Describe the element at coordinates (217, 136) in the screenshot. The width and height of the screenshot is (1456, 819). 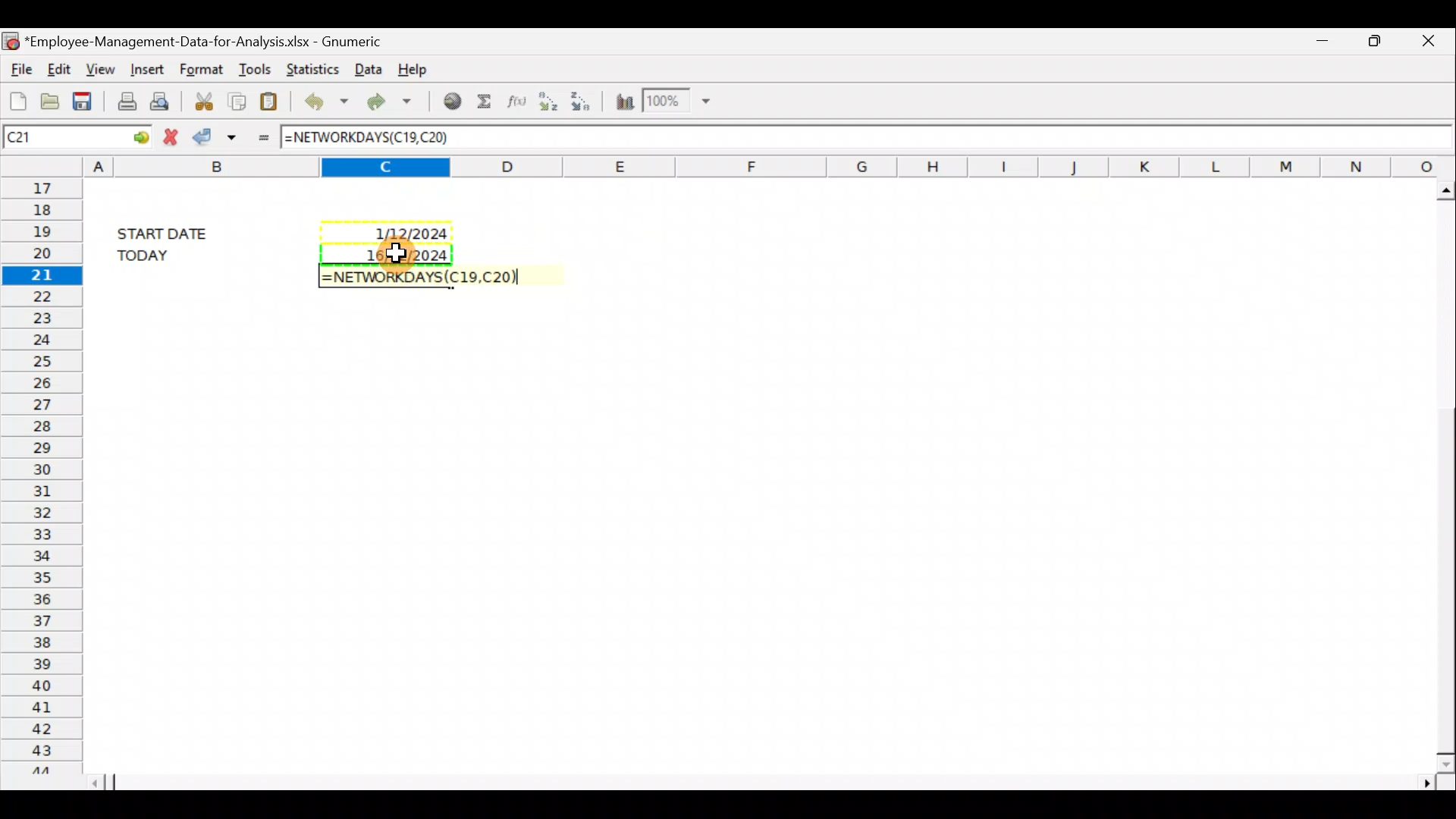
I see `Accept change` at that location.